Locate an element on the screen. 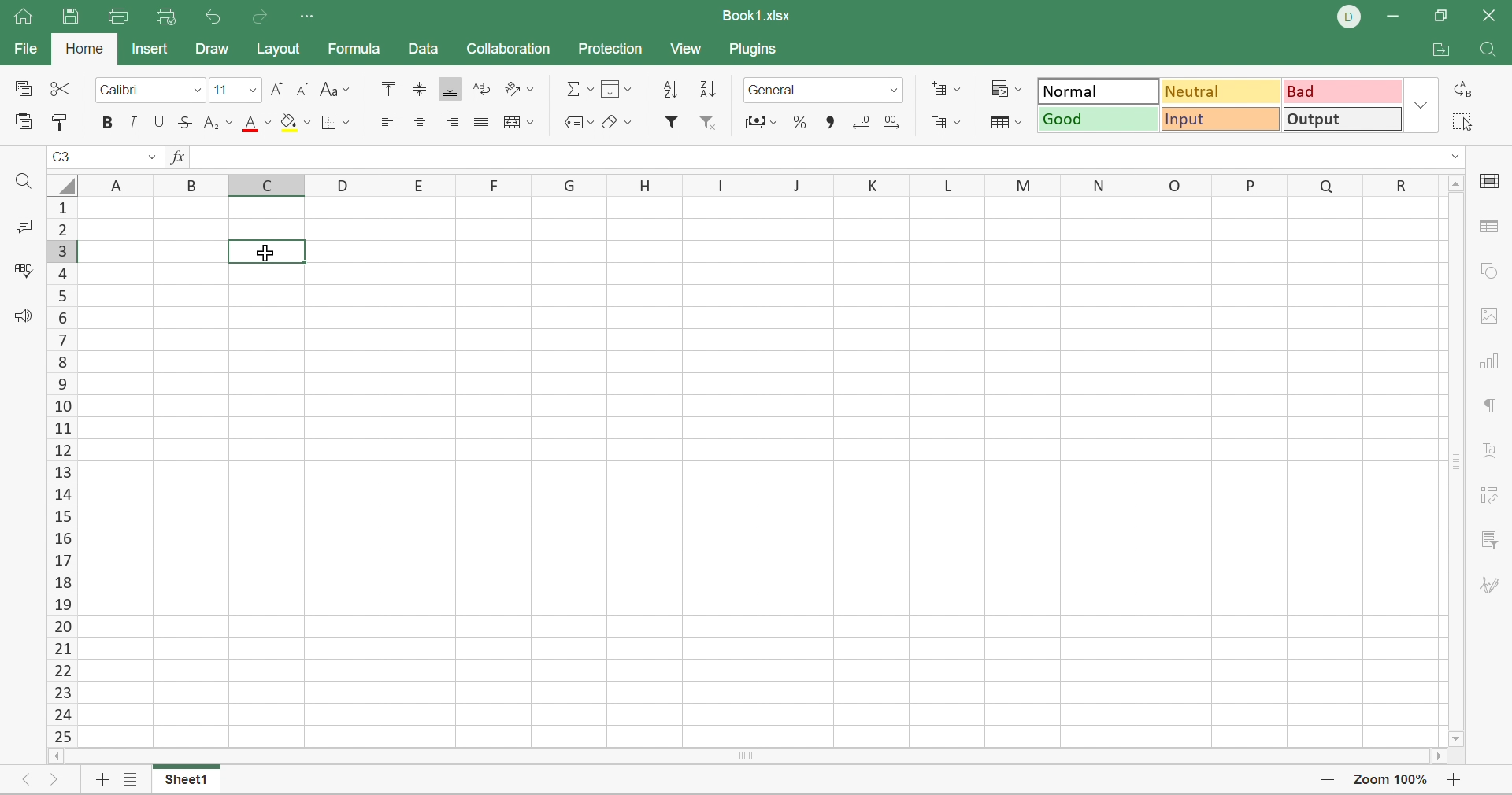  Column names is located at coordinates (754, 184).